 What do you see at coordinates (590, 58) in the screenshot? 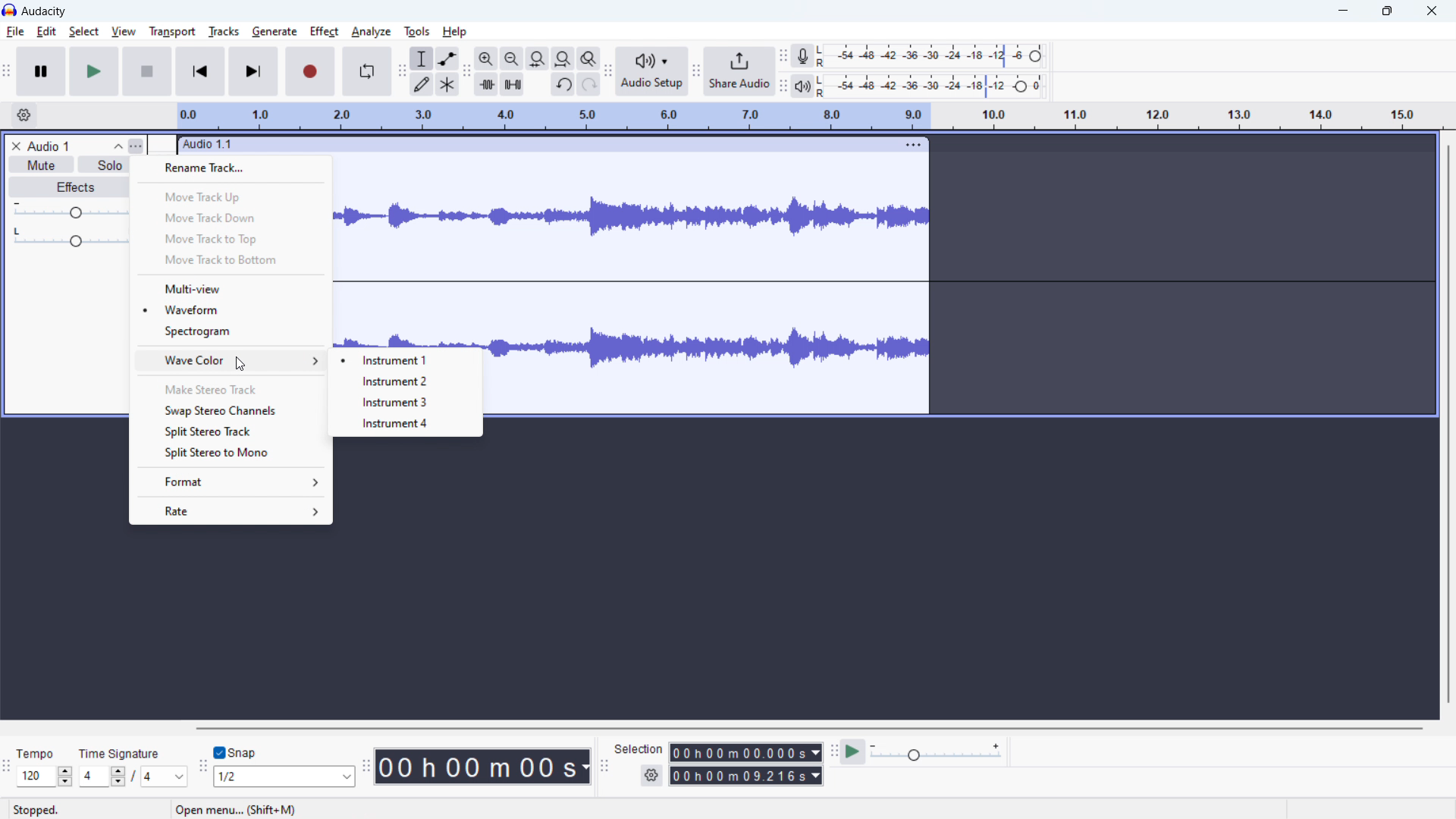
I see `toggle zoom` at bounding box center [590, 58].